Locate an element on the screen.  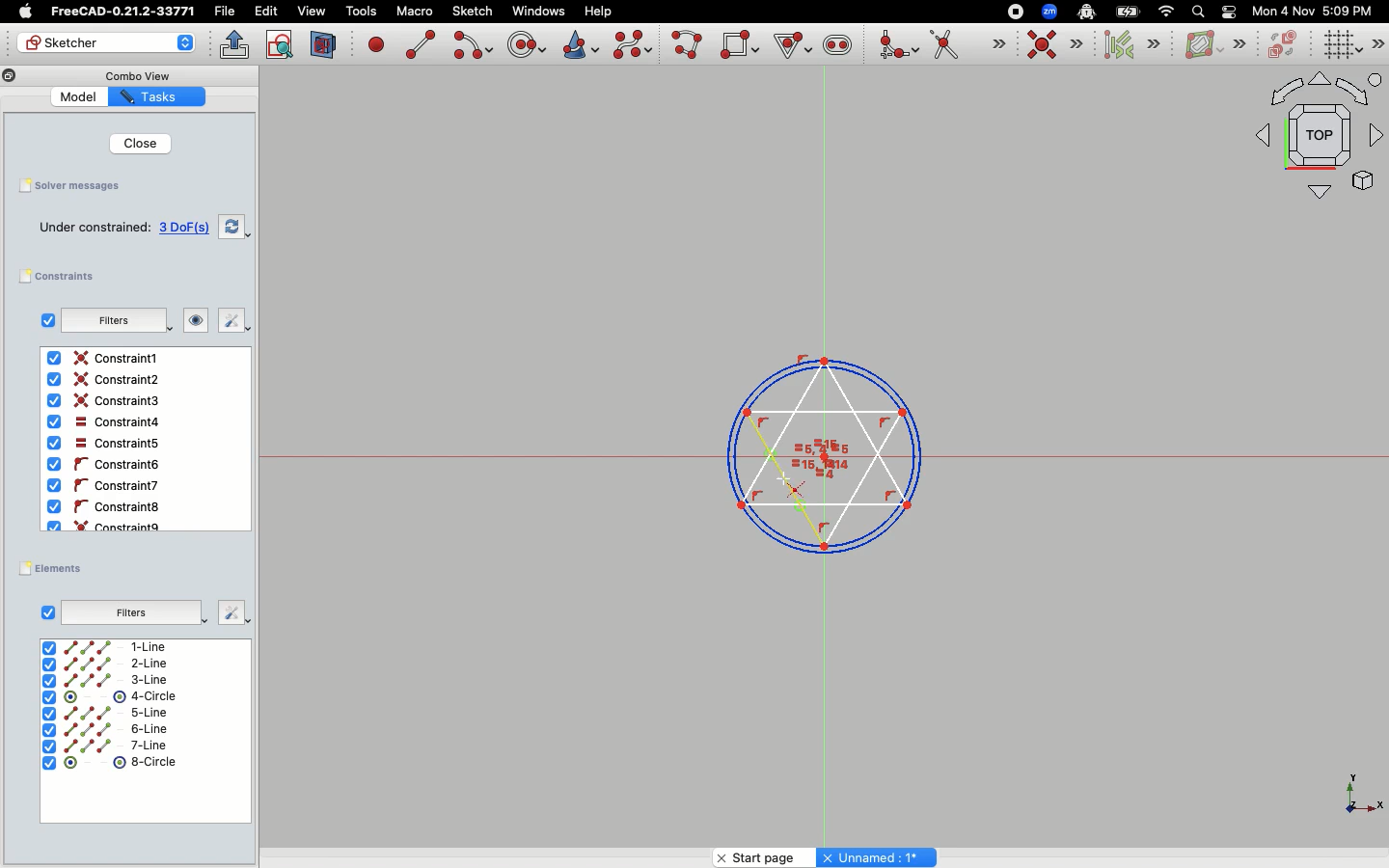
Robot is located at coordinates (1086, 14).